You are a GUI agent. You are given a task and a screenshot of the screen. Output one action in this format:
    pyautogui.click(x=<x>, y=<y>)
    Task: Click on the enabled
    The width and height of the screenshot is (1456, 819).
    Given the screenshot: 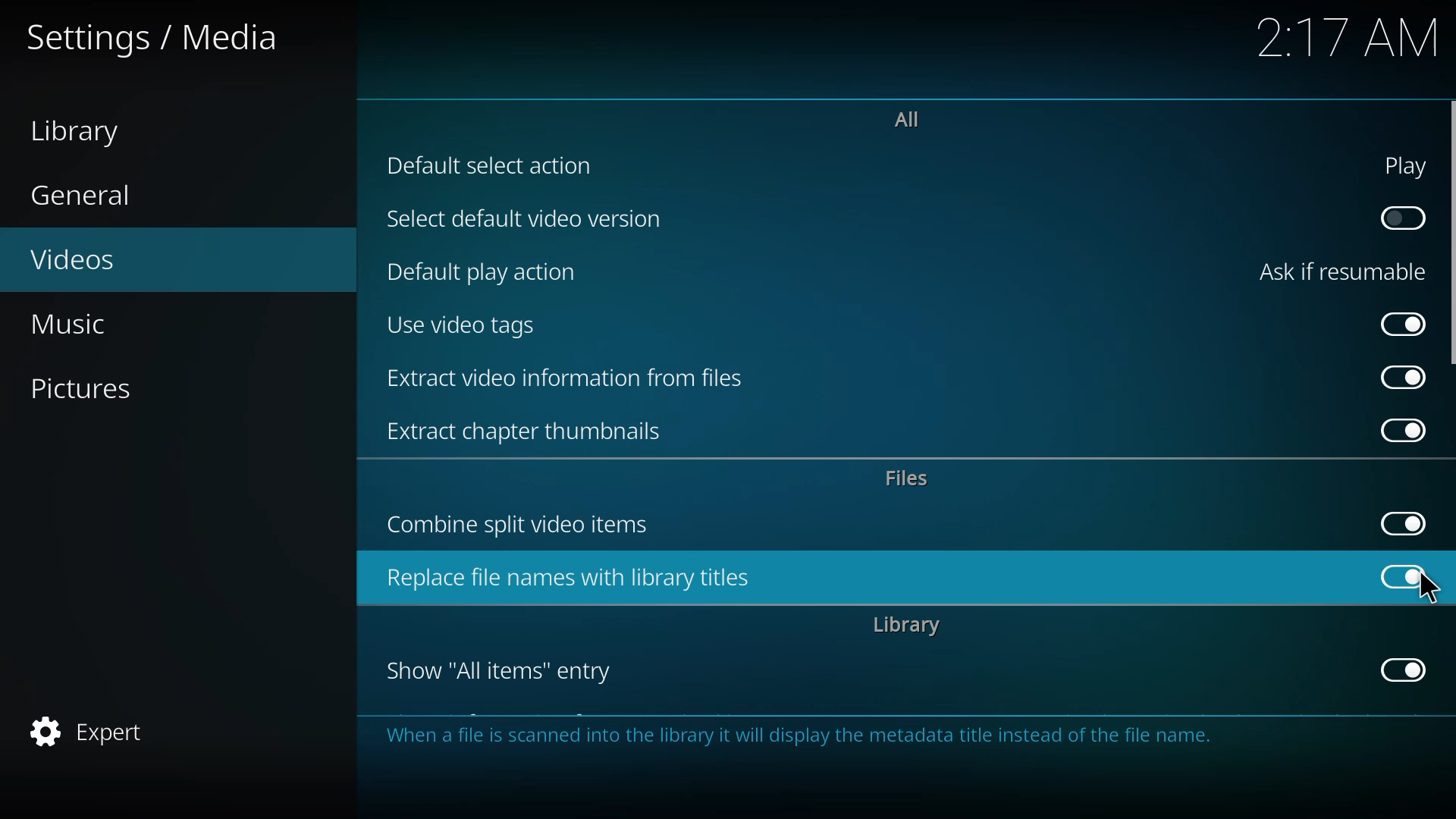 What is the action you would take?
    pyautogui.click(x=1397, y=670)
    